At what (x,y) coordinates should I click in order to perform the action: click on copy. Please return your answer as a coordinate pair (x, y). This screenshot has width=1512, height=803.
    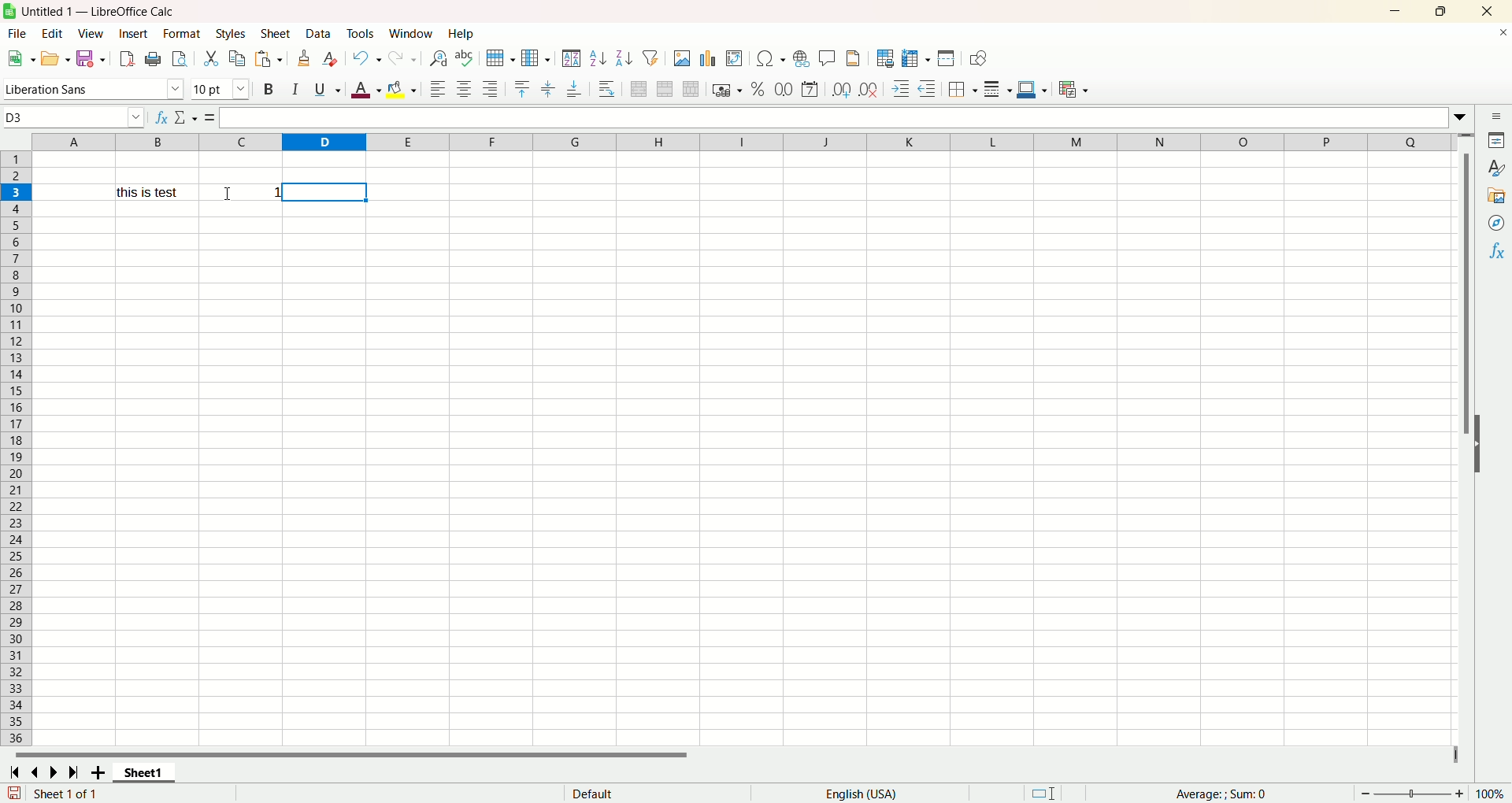
    Looking at the image, I should click on (235, 60).